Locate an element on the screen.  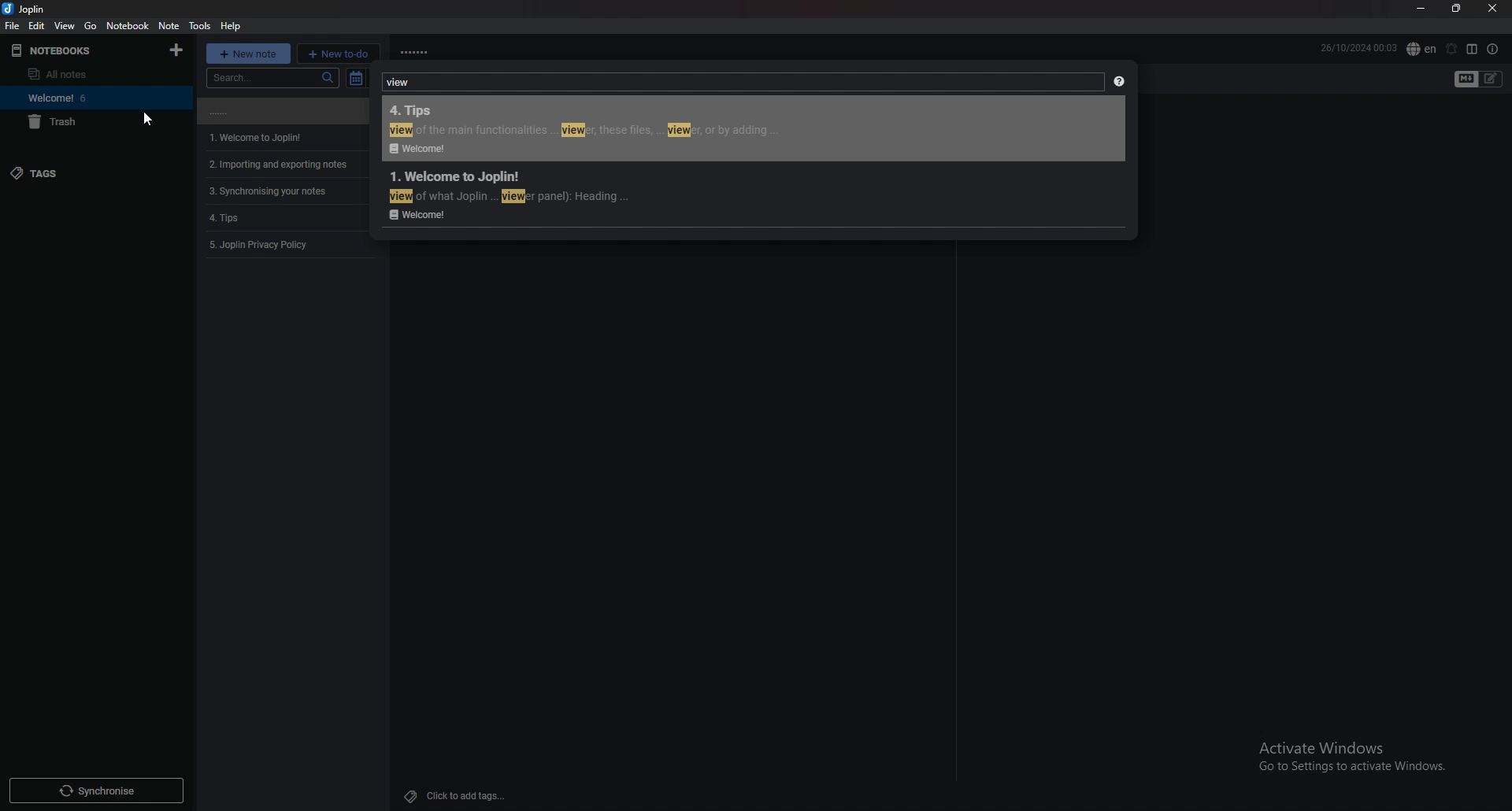
note 6 is located at coordinates (287, 243).